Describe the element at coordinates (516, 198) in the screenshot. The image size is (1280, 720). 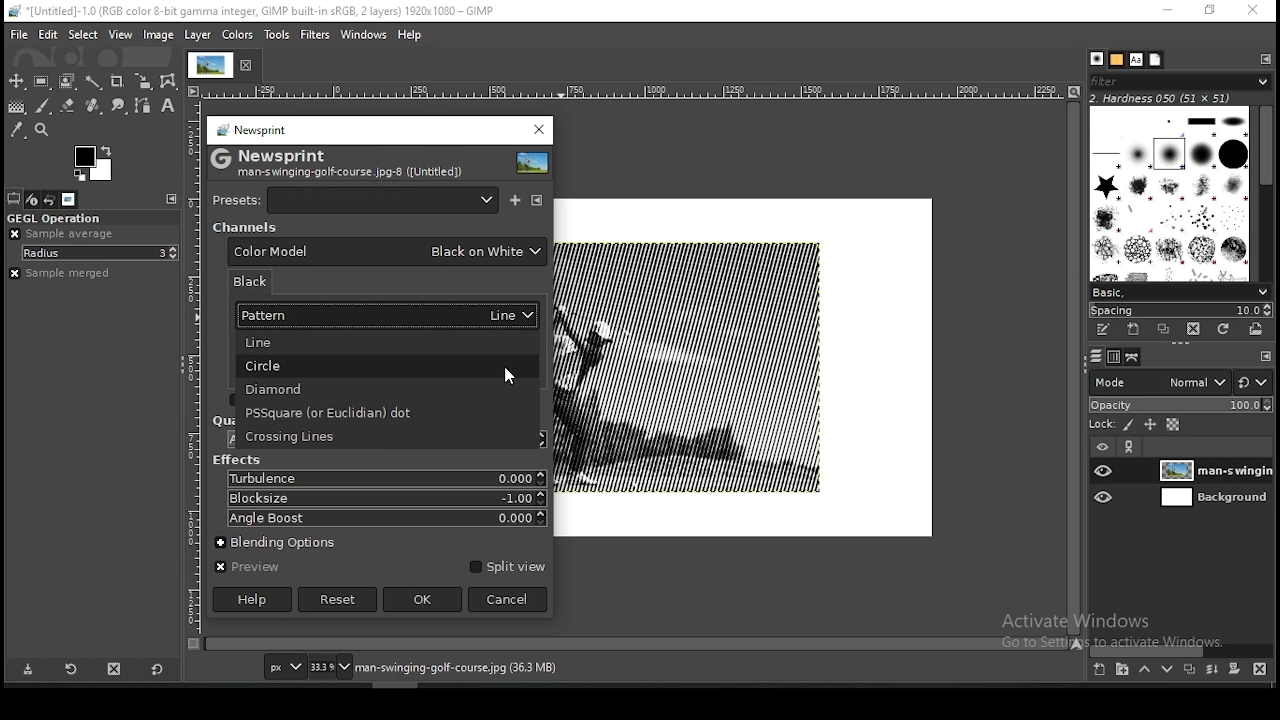
I see `save current as named preset` at that location.